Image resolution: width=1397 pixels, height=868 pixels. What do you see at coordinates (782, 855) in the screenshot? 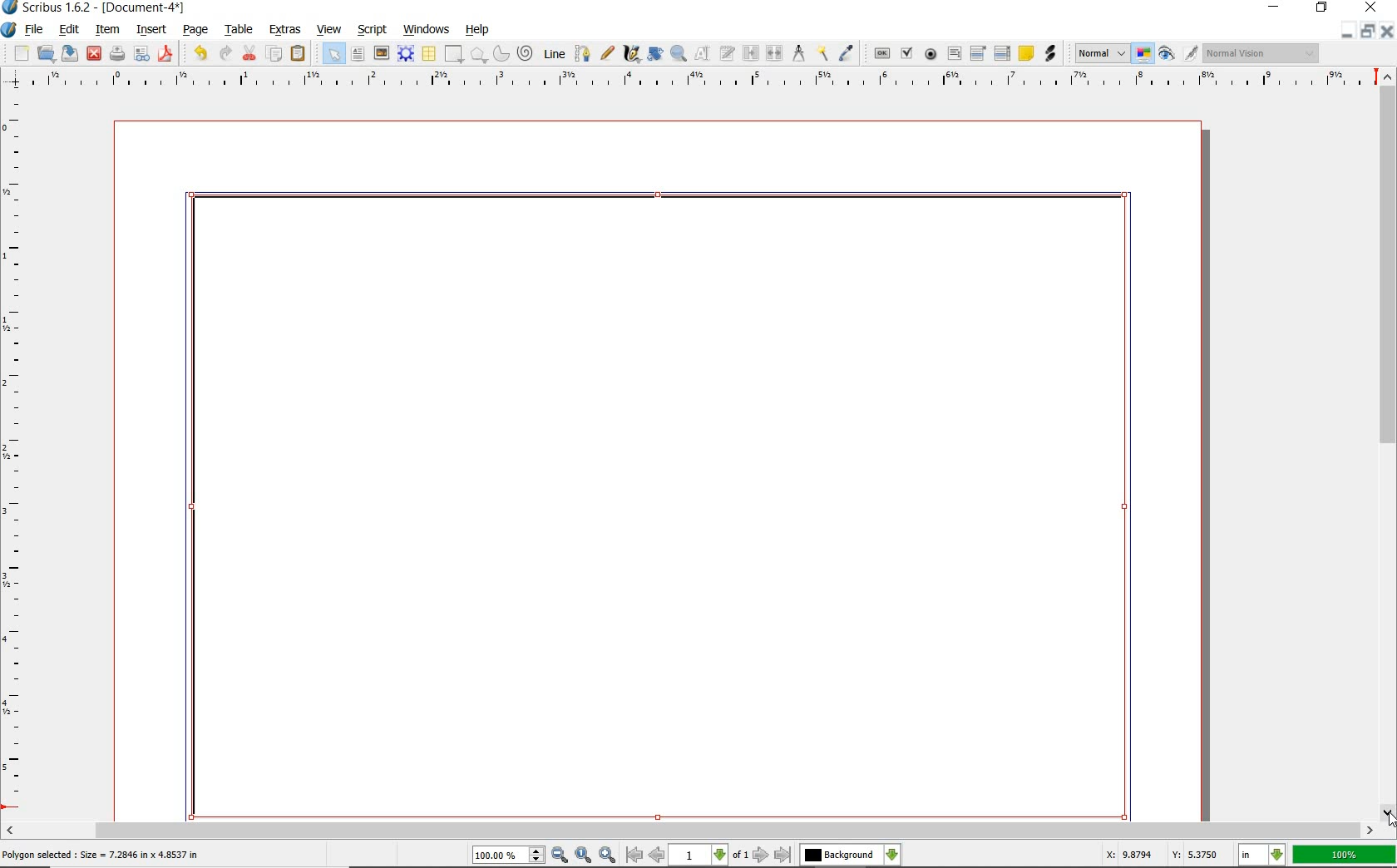
I see `go to last page` at bounding box center [782, 855].